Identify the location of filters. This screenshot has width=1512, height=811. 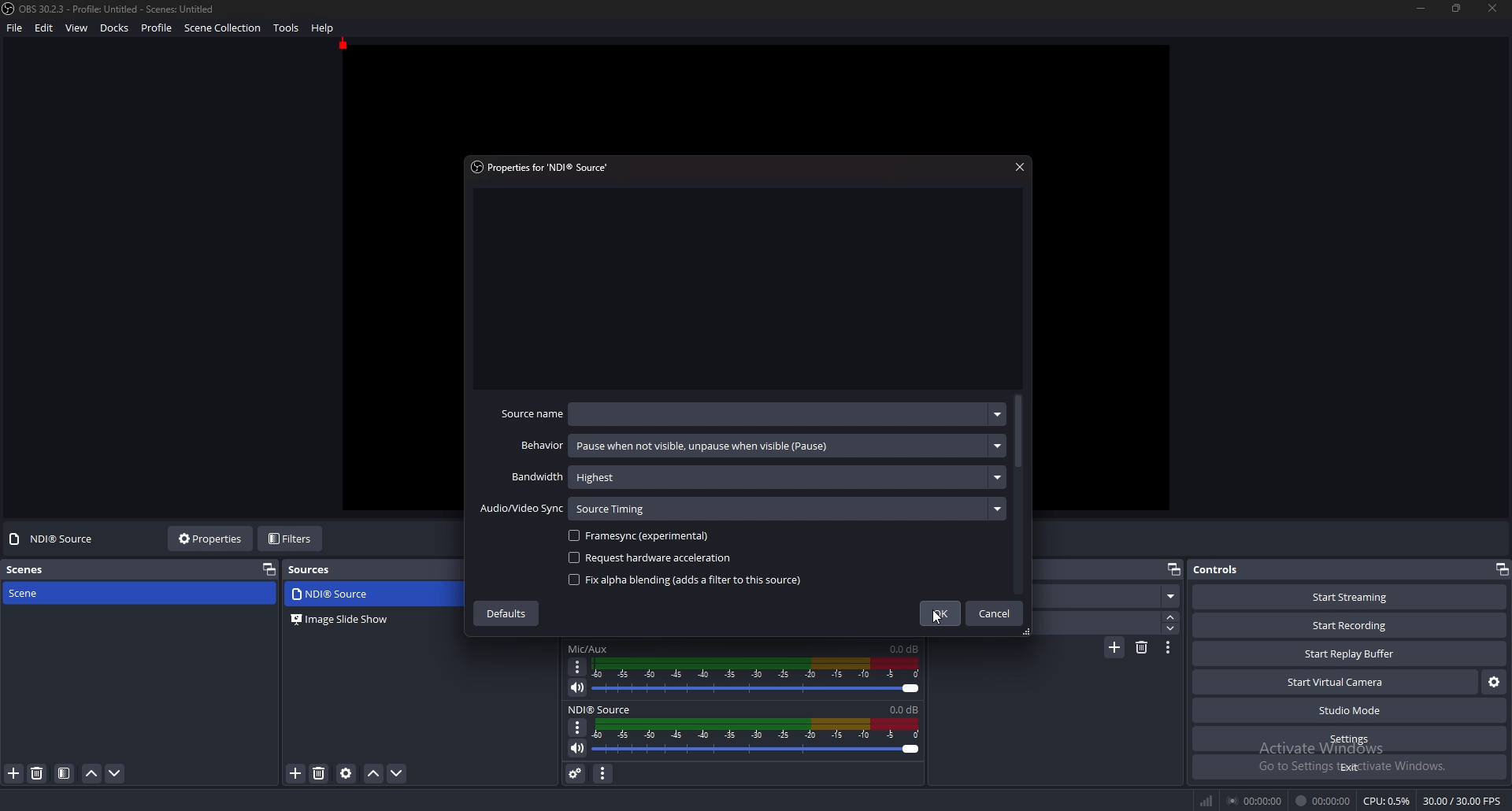
(291, 539).